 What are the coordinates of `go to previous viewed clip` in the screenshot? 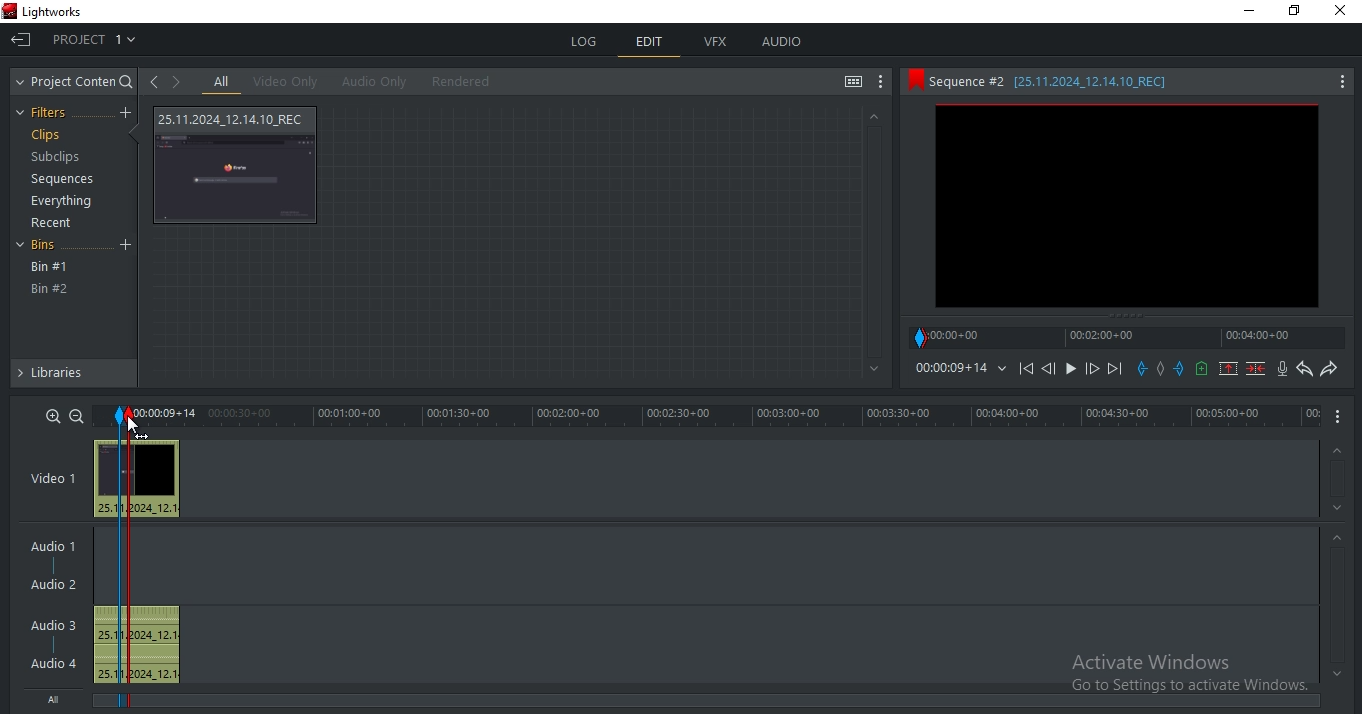 It's located at (153, 81).